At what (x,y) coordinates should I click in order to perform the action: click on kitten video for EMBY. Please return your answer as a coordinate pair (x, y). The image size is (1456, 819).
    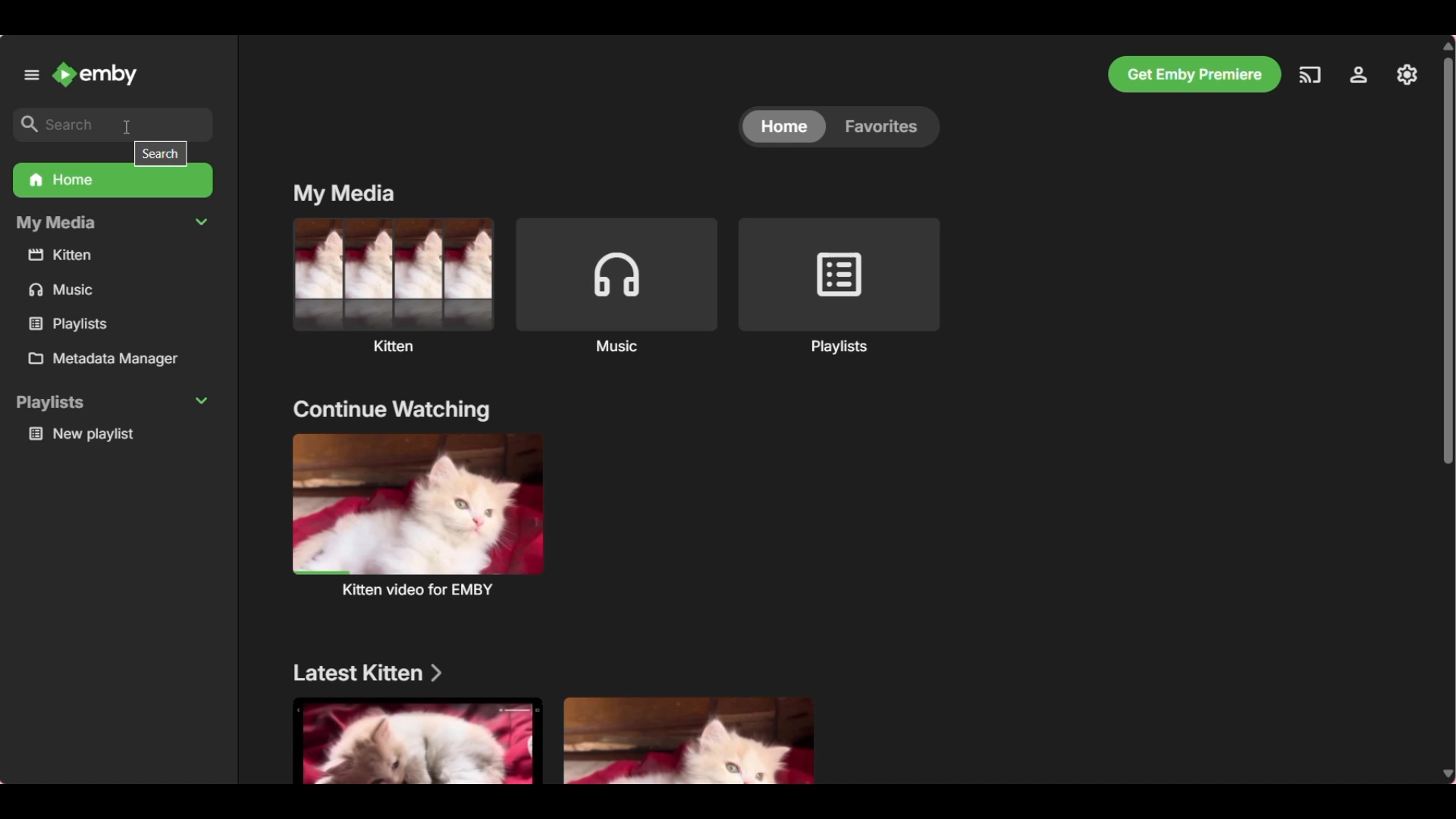
    Looking at the image, I should click on (419, 513).